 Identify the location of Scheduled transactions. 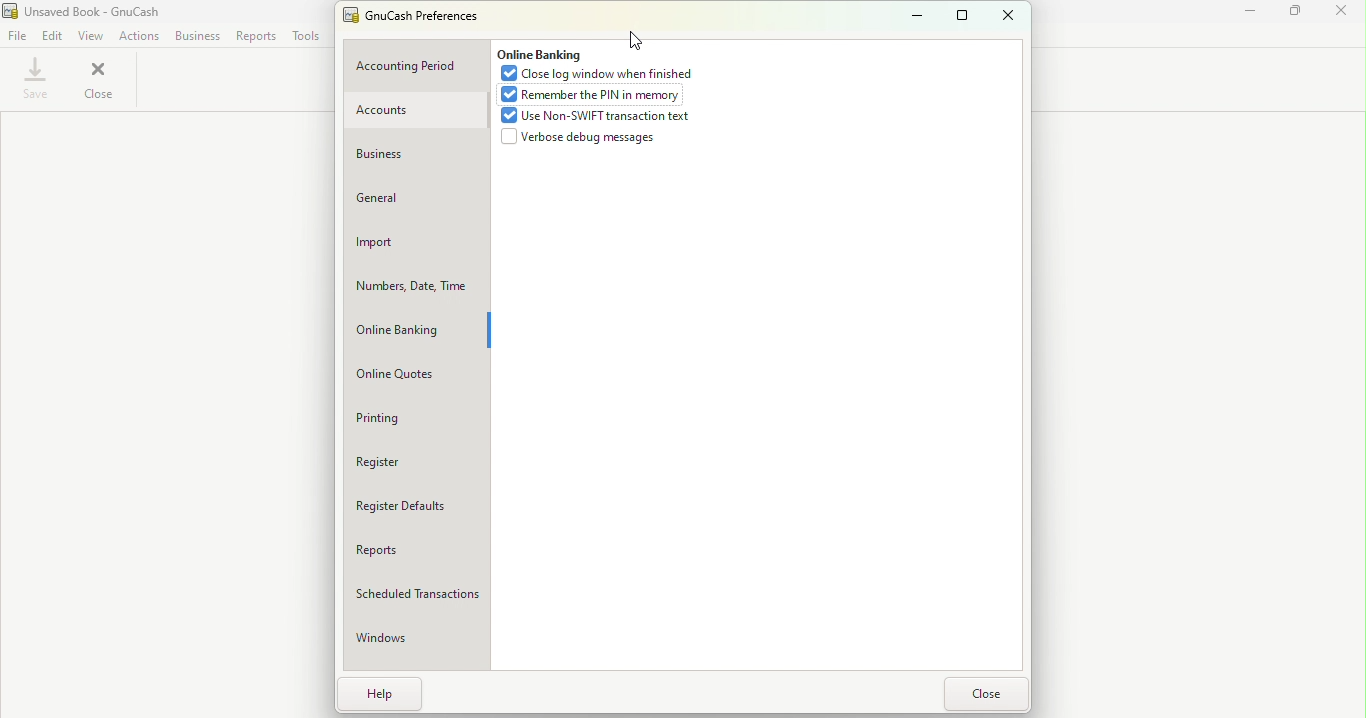
(419, 594).